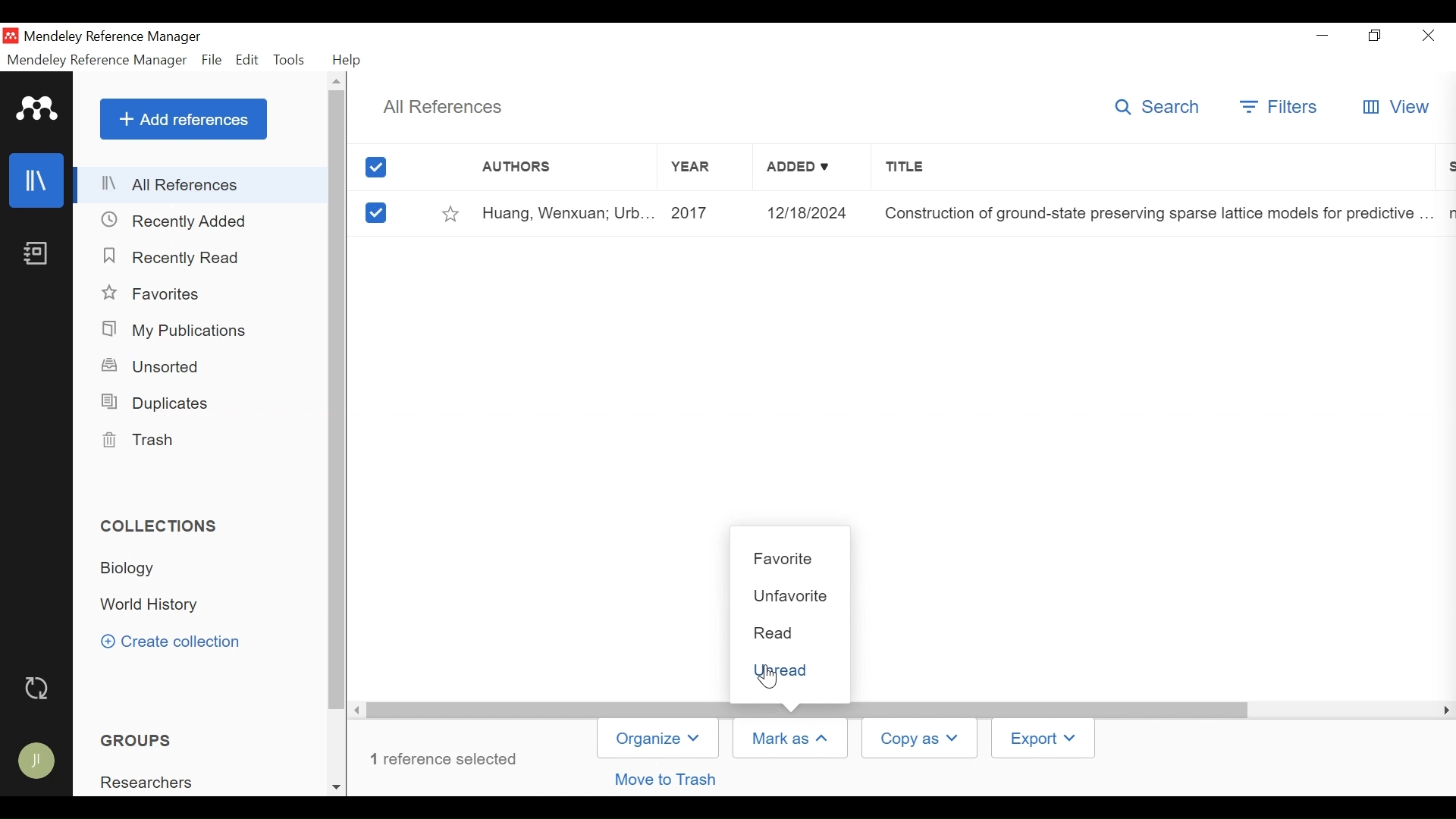  Describe the element at coordinates (39, 760) in the screenshot. I see `Avatar` at that location.